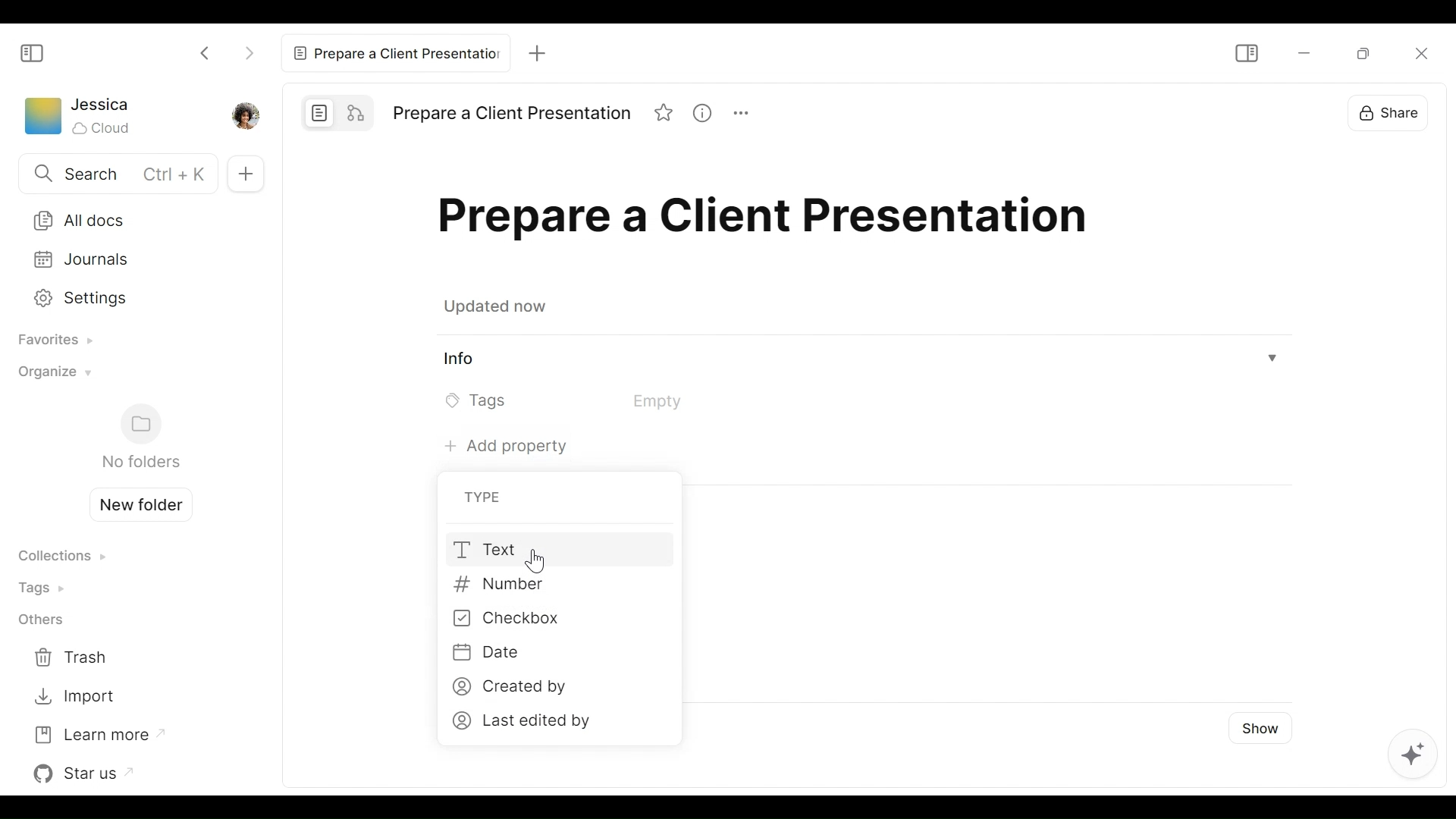 The width and height of the screenshot is (1456, 819). What do you see at coordinates (243, 173) in the screenshot?
I see `Add new` at bounding box center [243, 173].